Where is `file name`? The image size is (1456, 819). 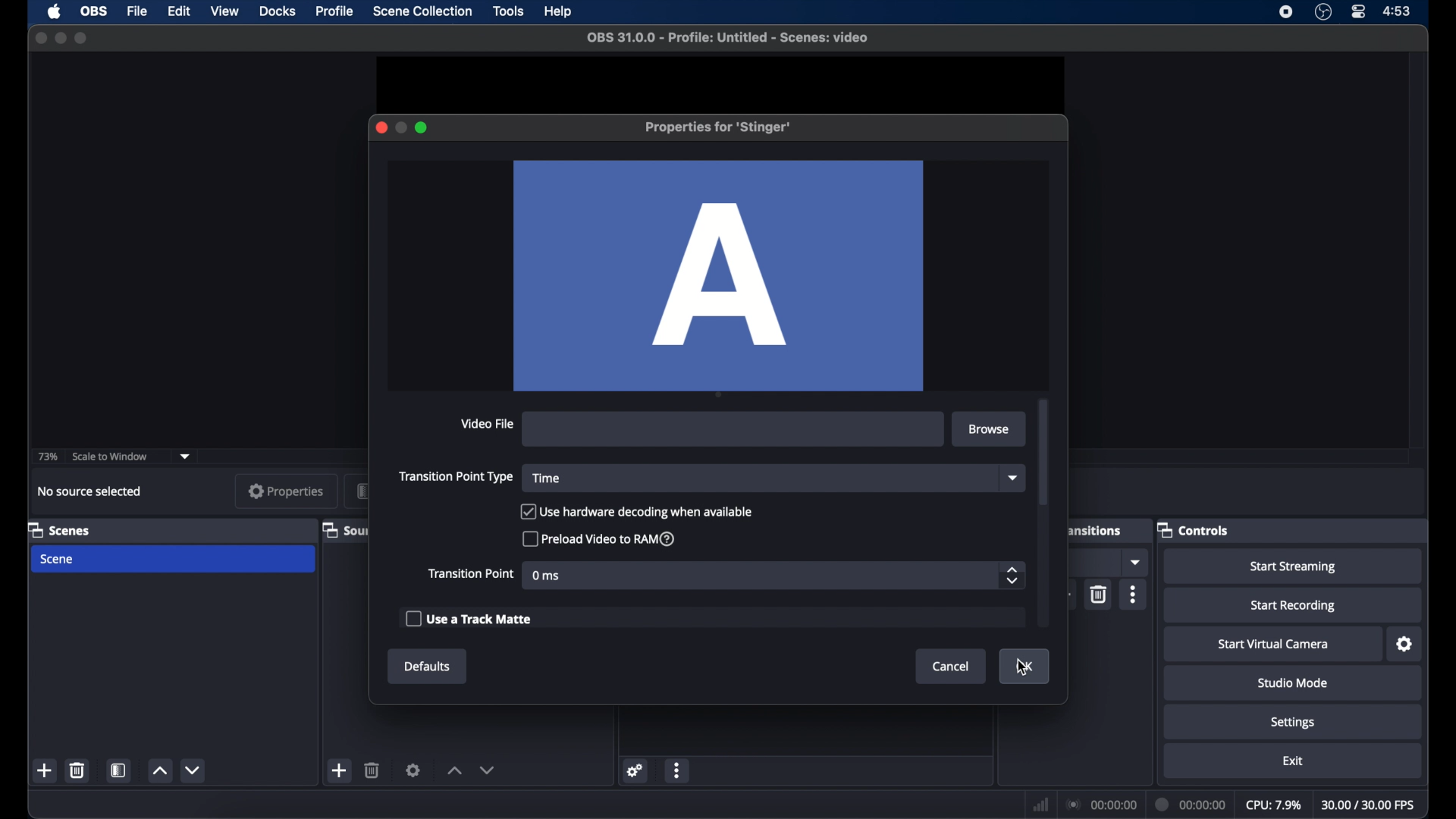 file name is located at coordinates (723, 38).